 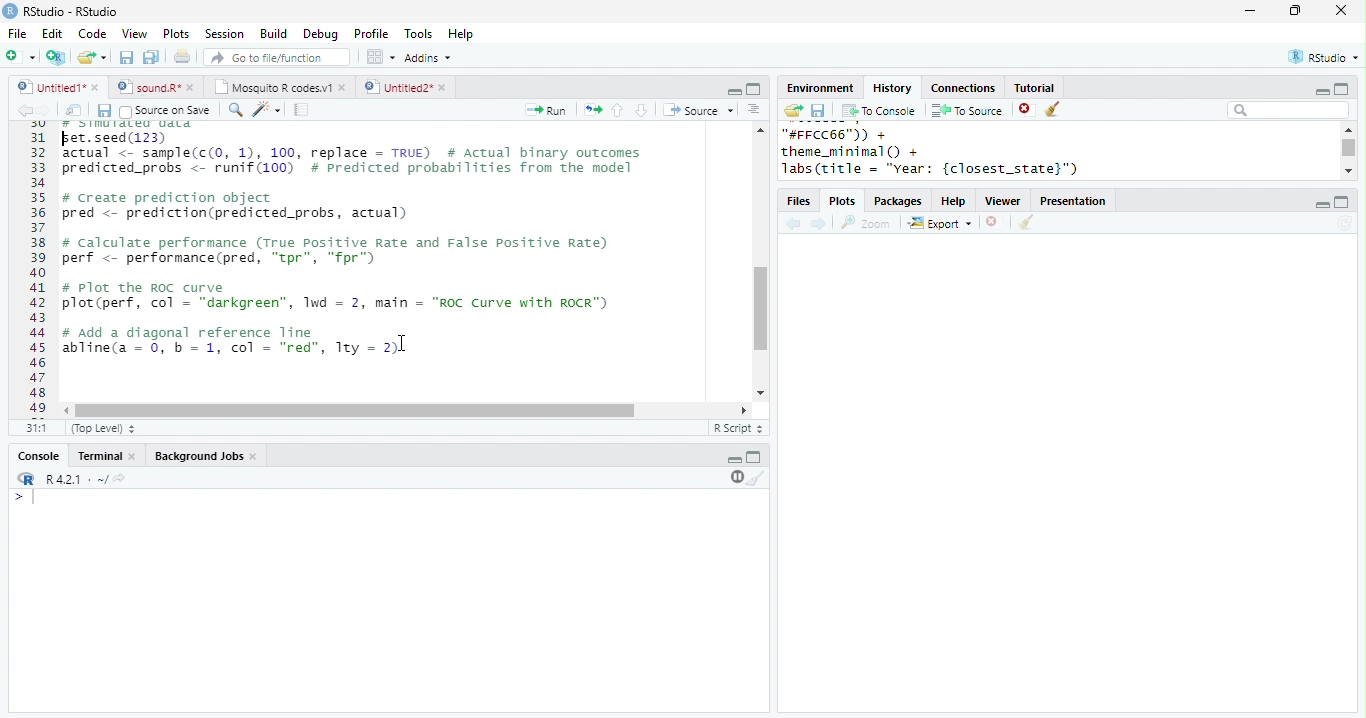 What do you see at coordinates (734, 90) in the screenshot?
I see `minimize` at bounding box center [734, 90].